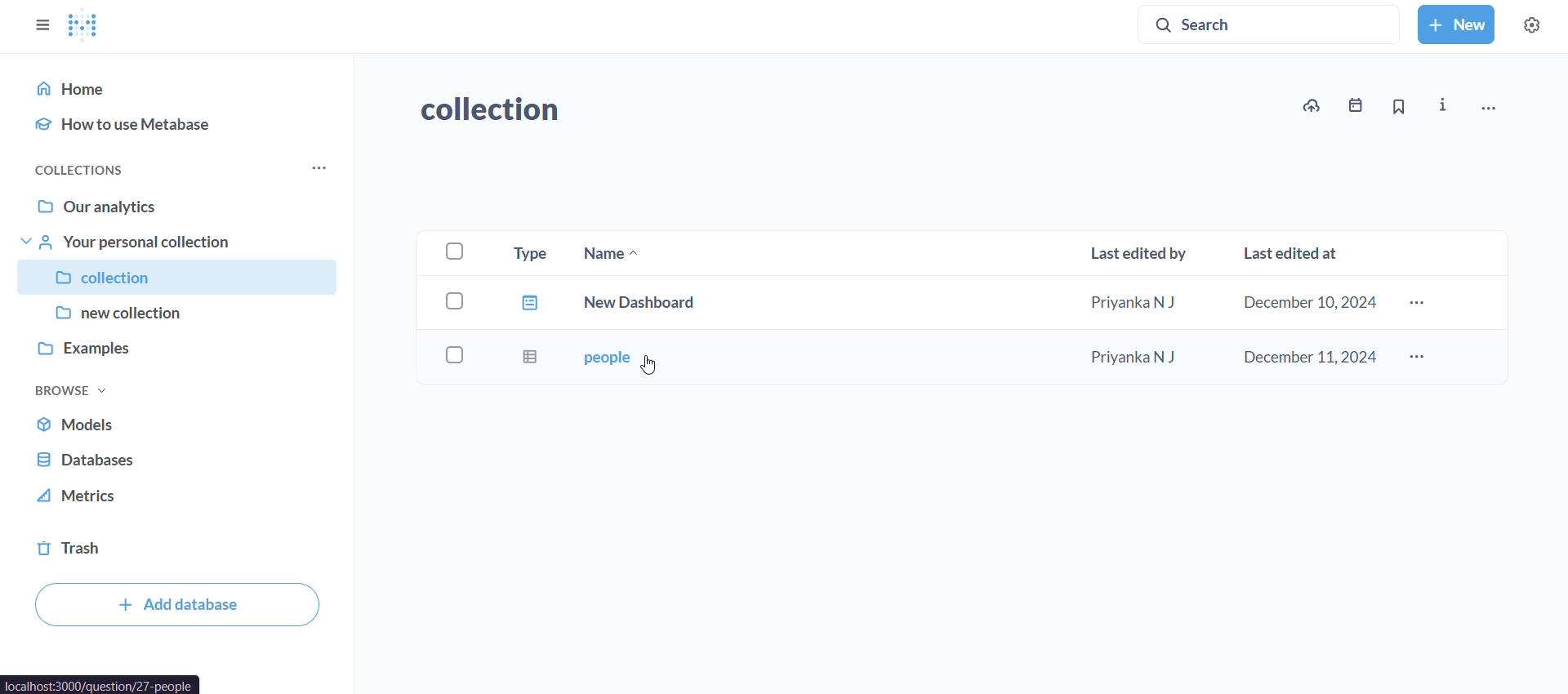 This screenshot has height=694, width=1568. I want to click on add database, so click(175, 606).